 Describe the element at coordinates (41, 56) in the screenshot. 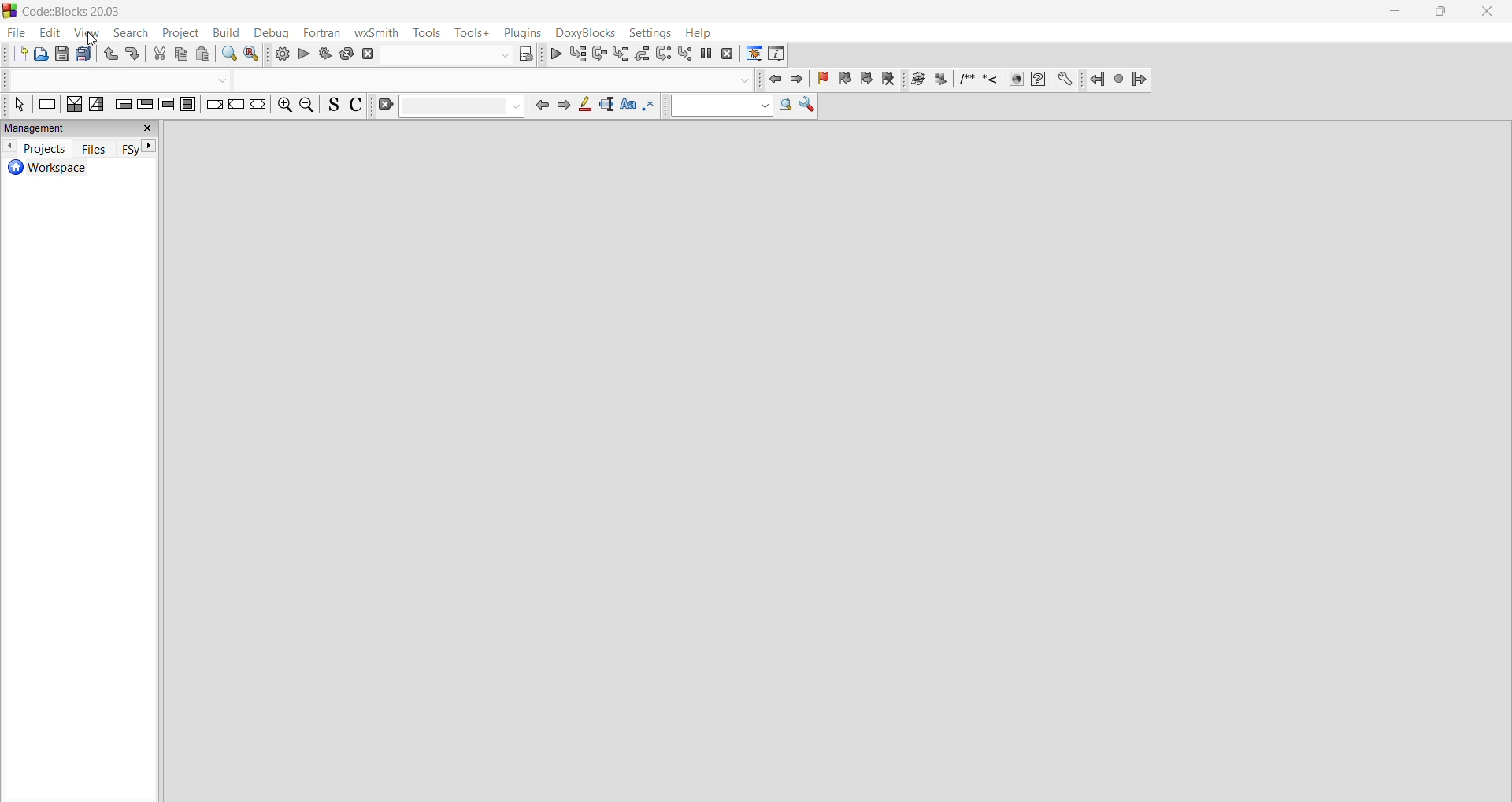

I see `open` at that location.